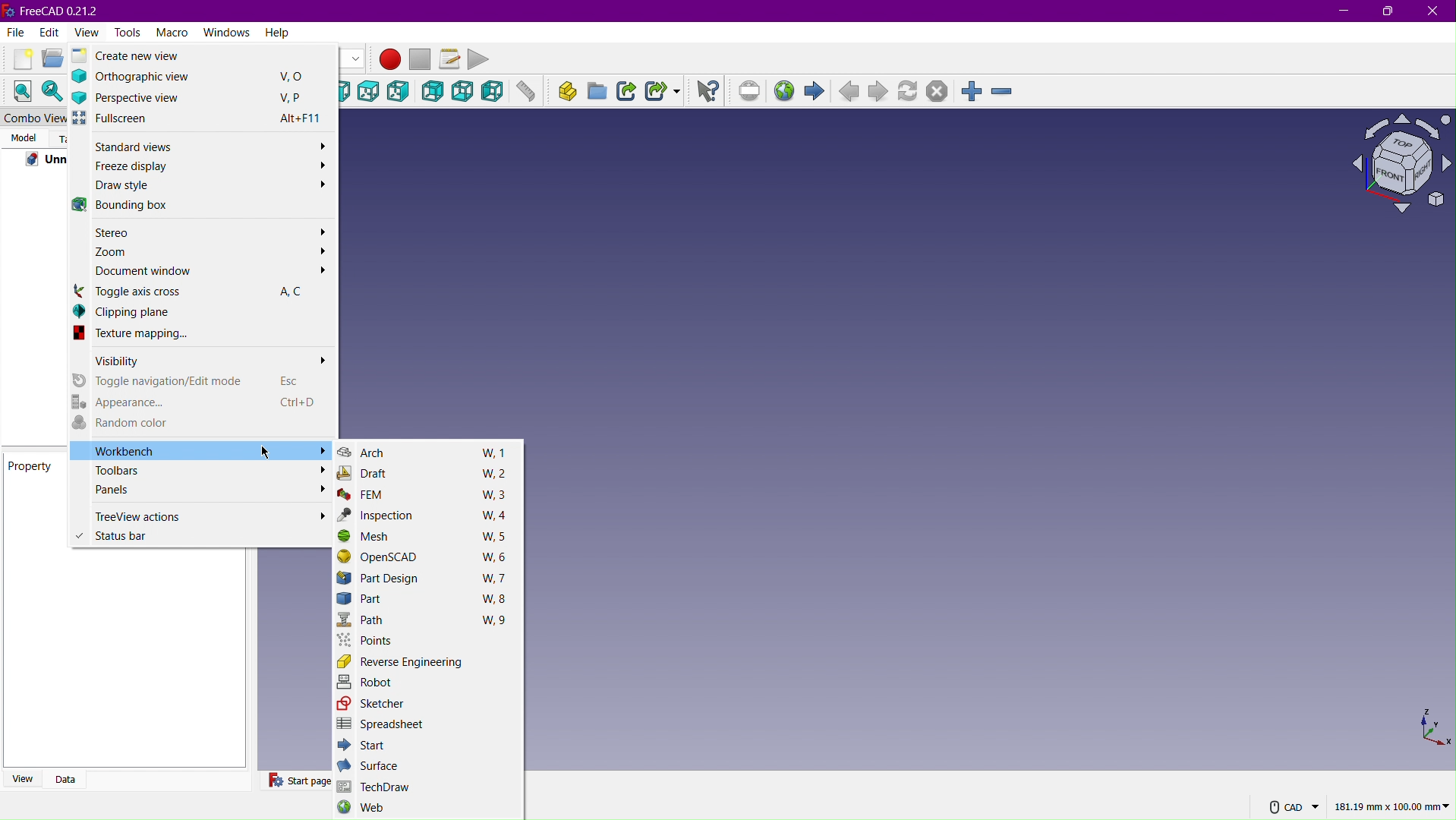  Describe the element at coordinates (783, 93) in the screenshot. I see `Open website` at that location.